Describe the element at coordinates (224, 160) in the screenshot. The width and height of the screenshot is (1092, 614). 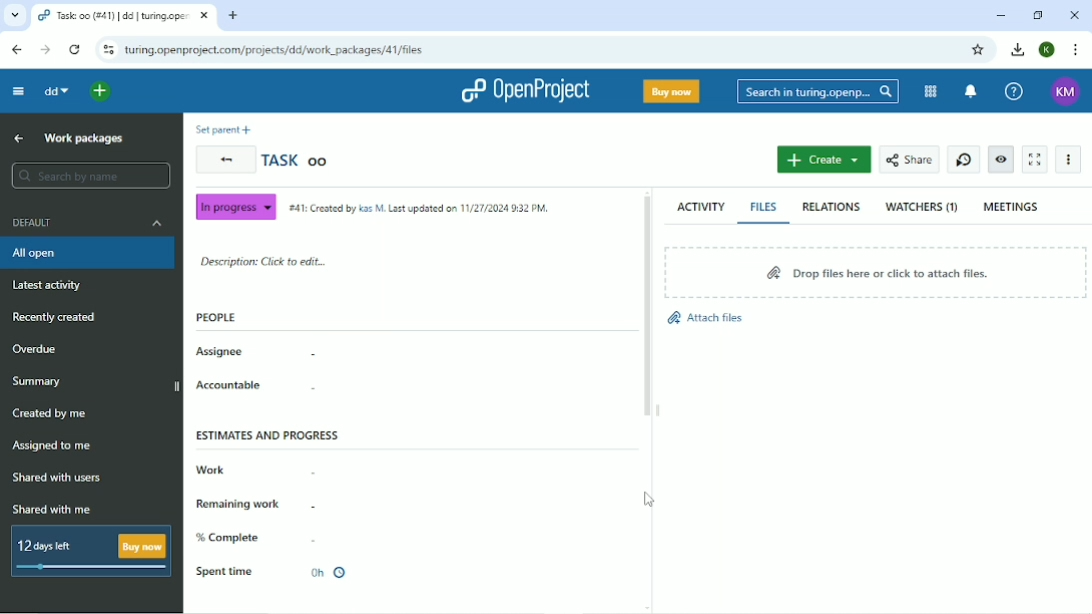
I see `Back` at that location.